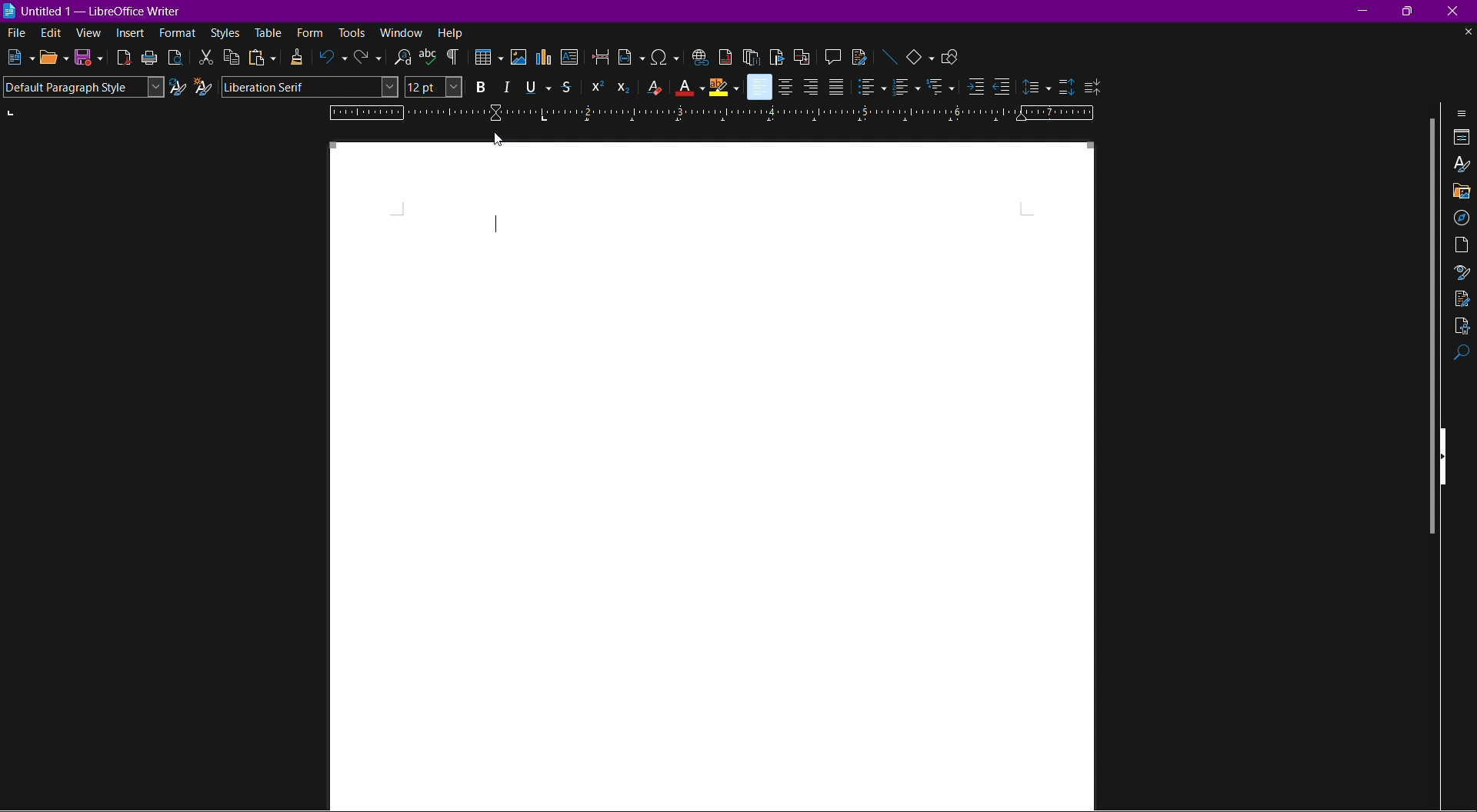  I want to click on Clear Direct Formatting, so click(653, 88).